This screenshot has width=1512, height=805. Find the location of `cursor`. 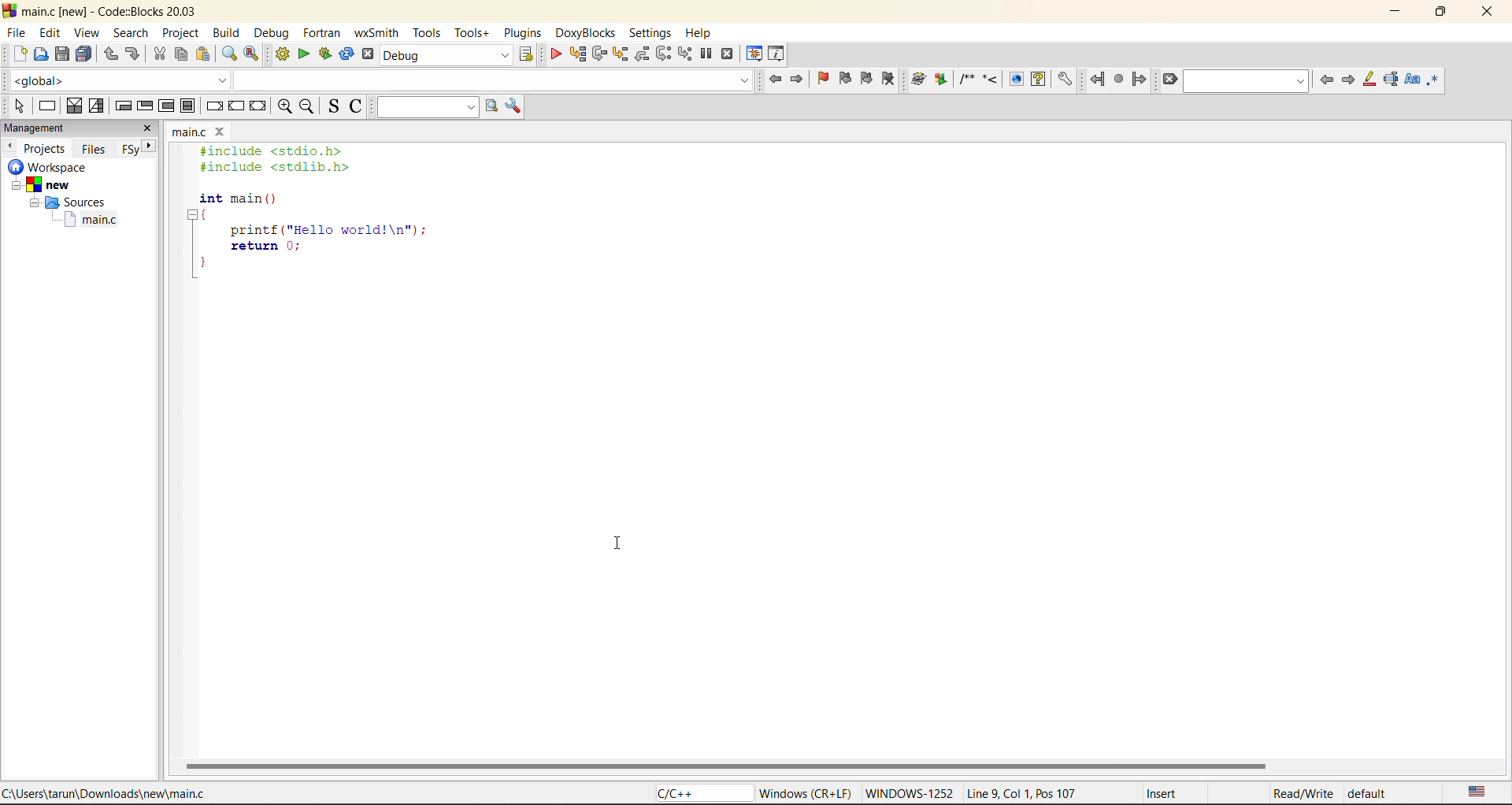

cursor is located at coordinates (620, 541).